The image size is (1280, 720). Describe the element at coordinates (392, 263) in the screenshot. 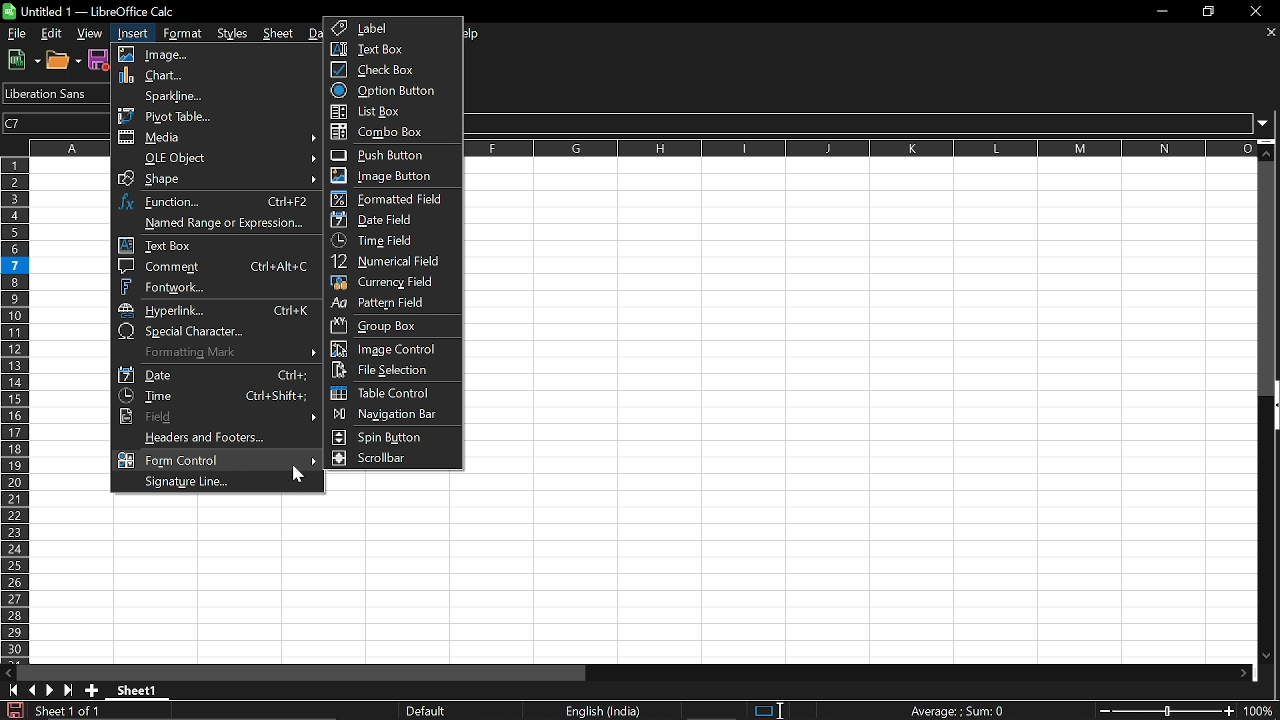

I see `Numerical field` at that location.